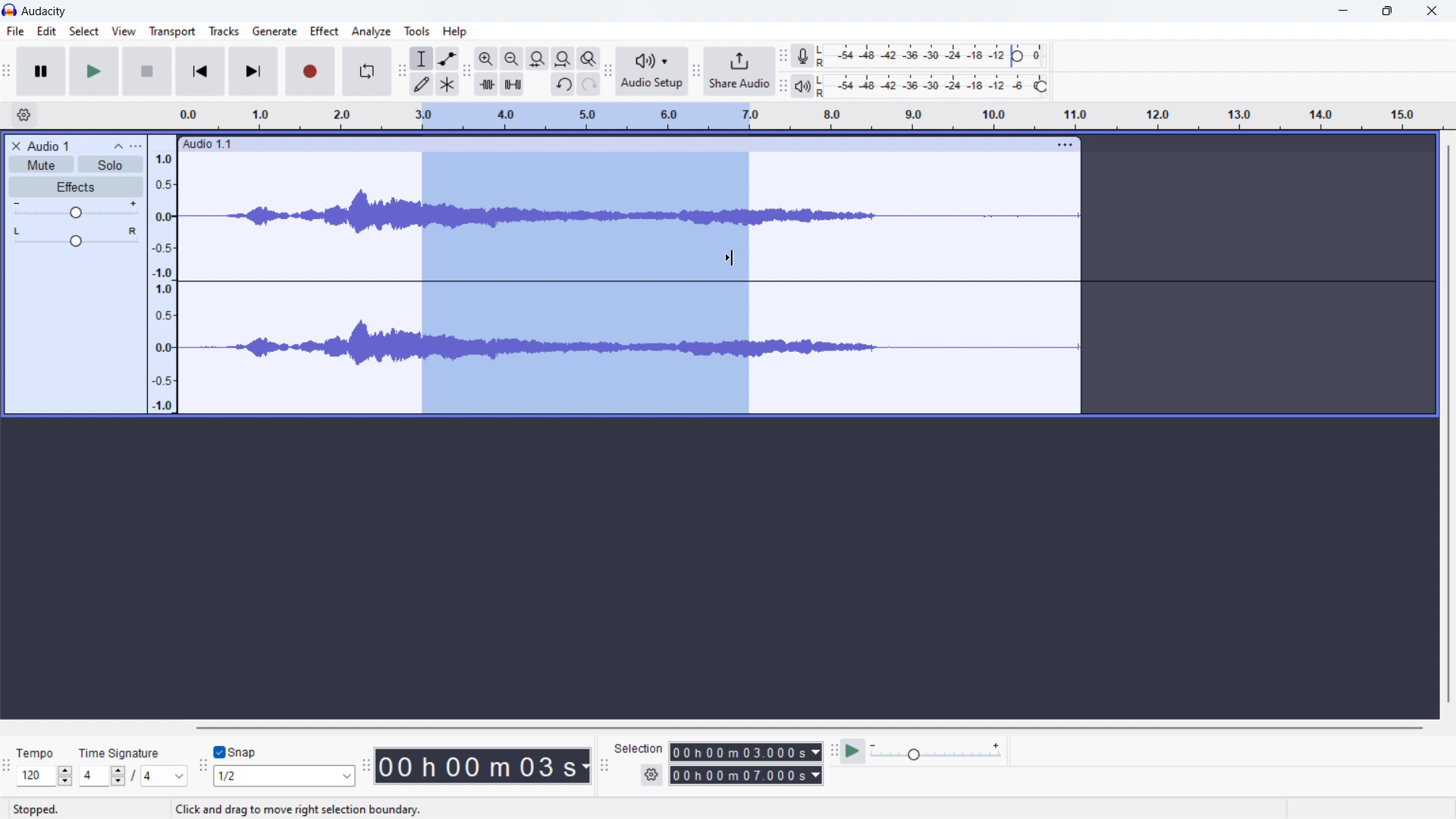 This screenshot has width=1456, height=819. What do you see at coordinates (453, 32) in the screenshot?
I see `help` at bounding box center [453, 32].